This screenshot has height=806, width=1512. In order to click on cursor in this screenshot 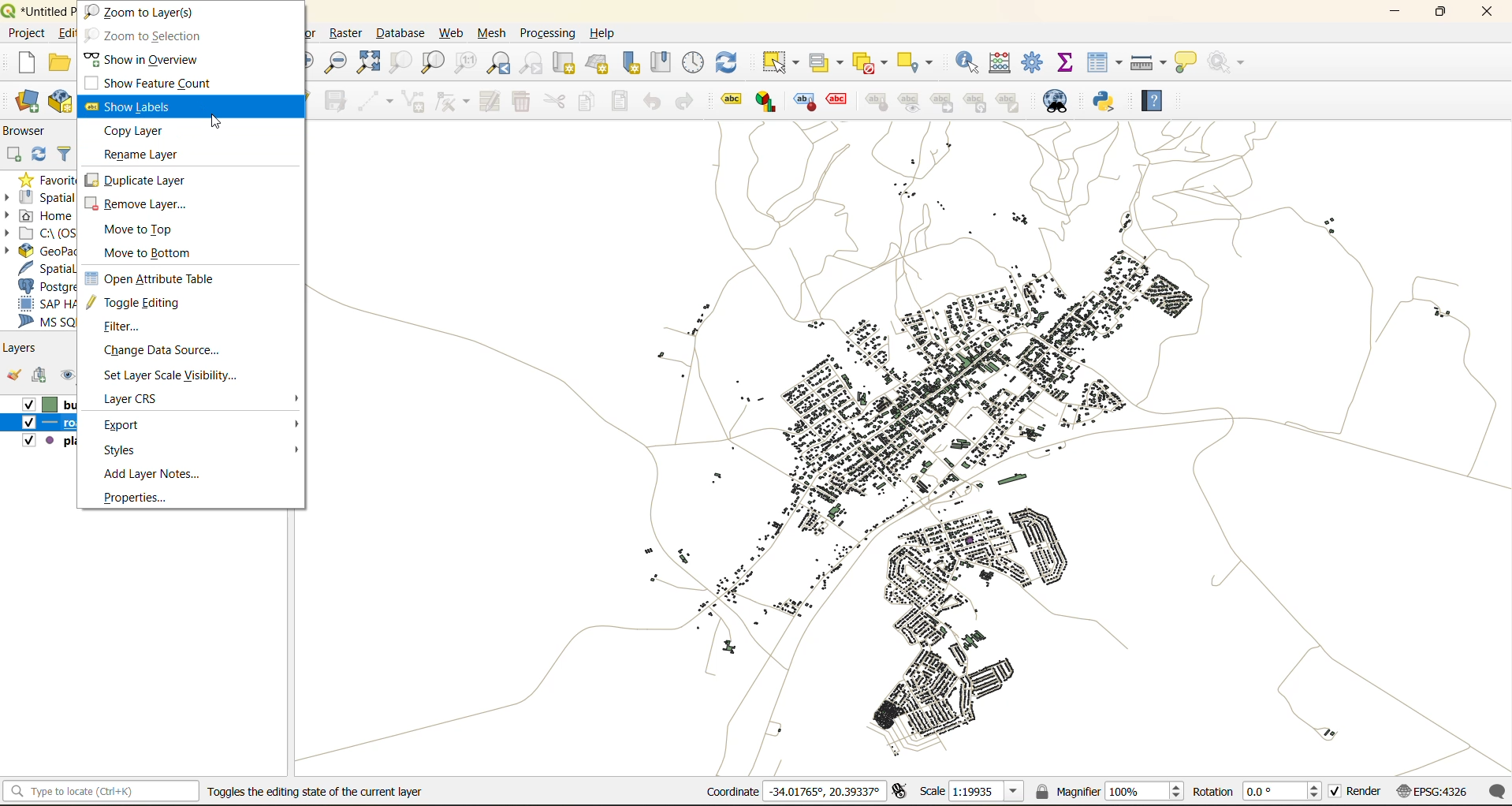, I will do `click(217, 124)`.